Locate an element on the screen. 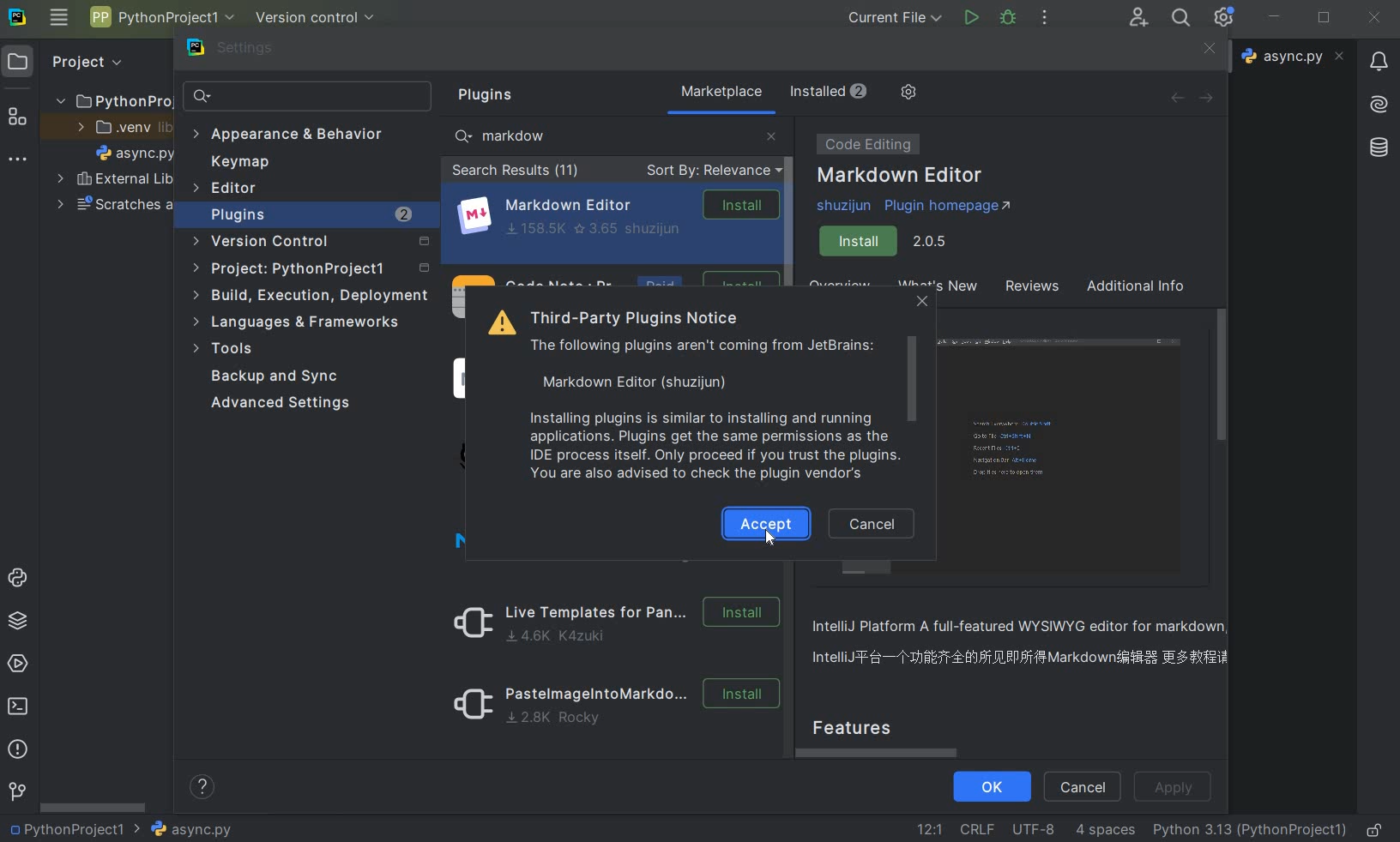 The width and height of the screenshot is (1400, 842). debug is located at coordinates (1010, 20).